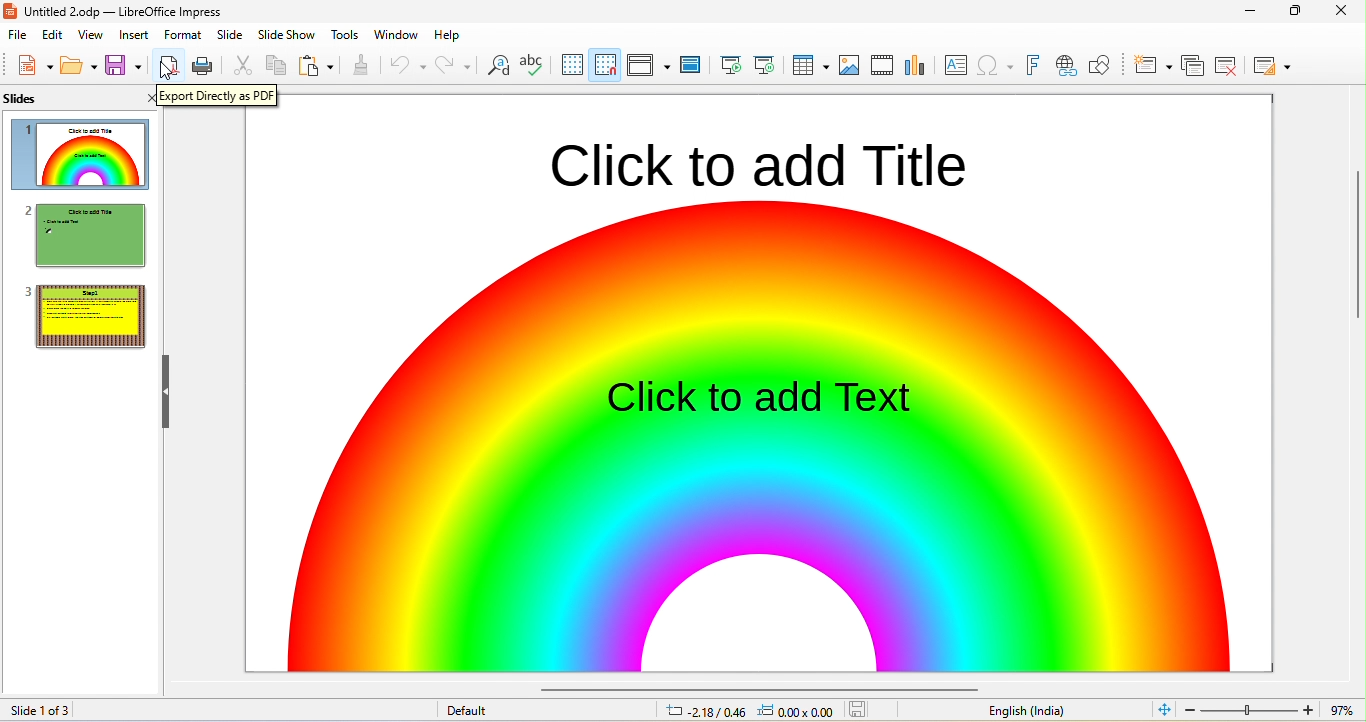  Describe the element at coordinates (167, 64) in the screenshot. I see `export as pdf` at that location.